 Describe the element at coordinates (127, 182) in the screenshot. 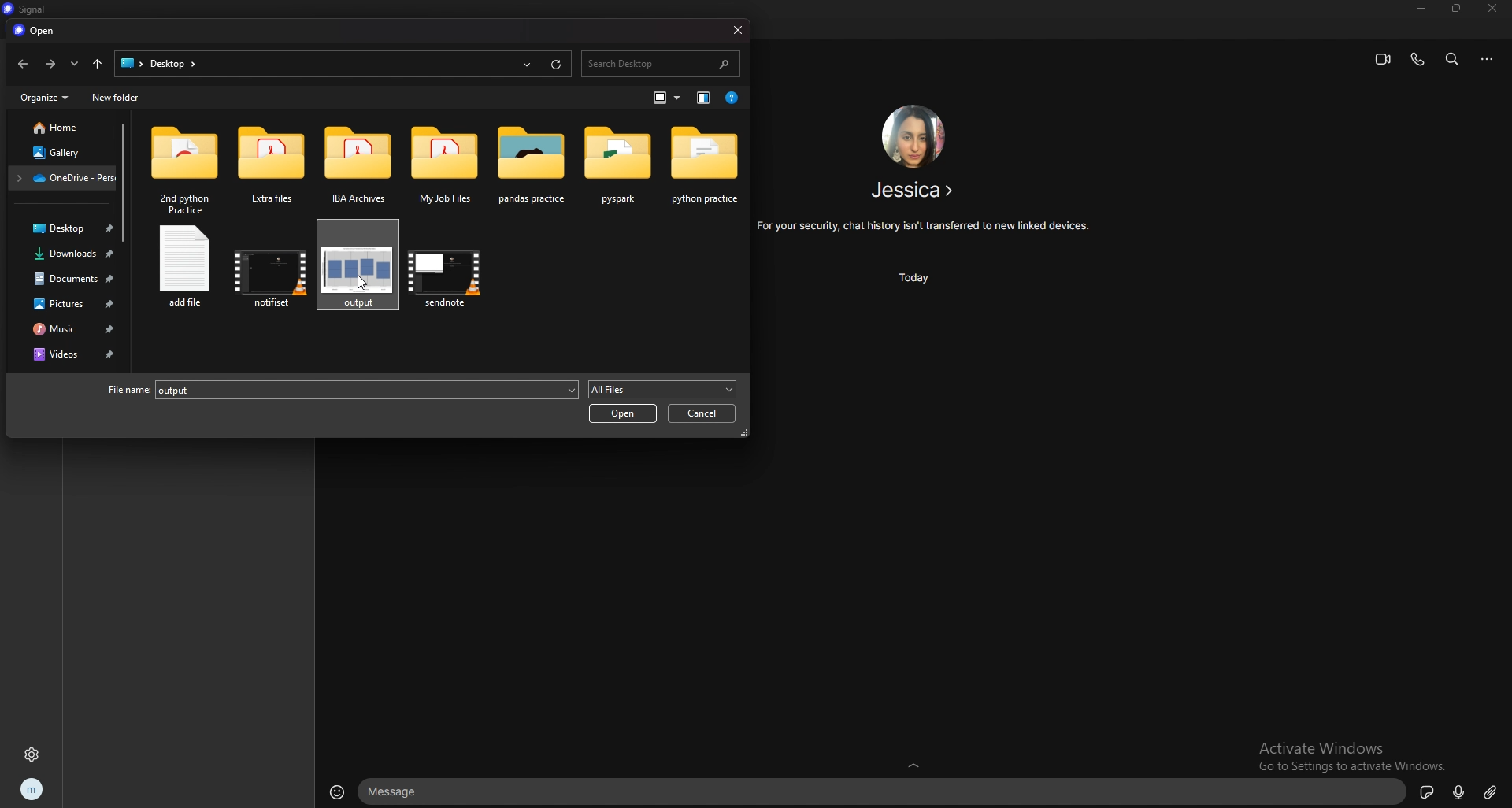

I see `scroll bar` at that location.